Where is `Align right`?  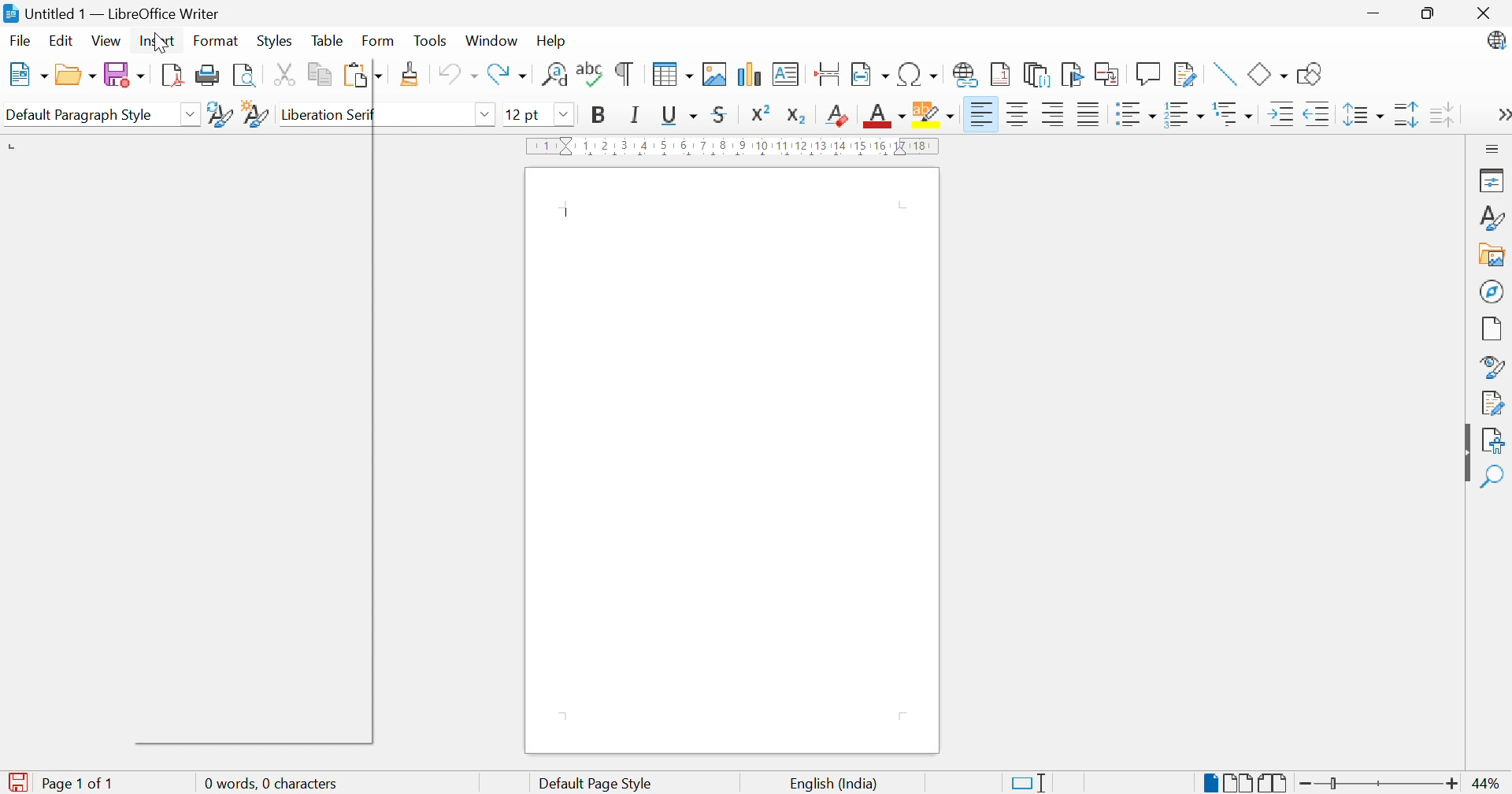 Align right is located at coordinates (1053, 114).